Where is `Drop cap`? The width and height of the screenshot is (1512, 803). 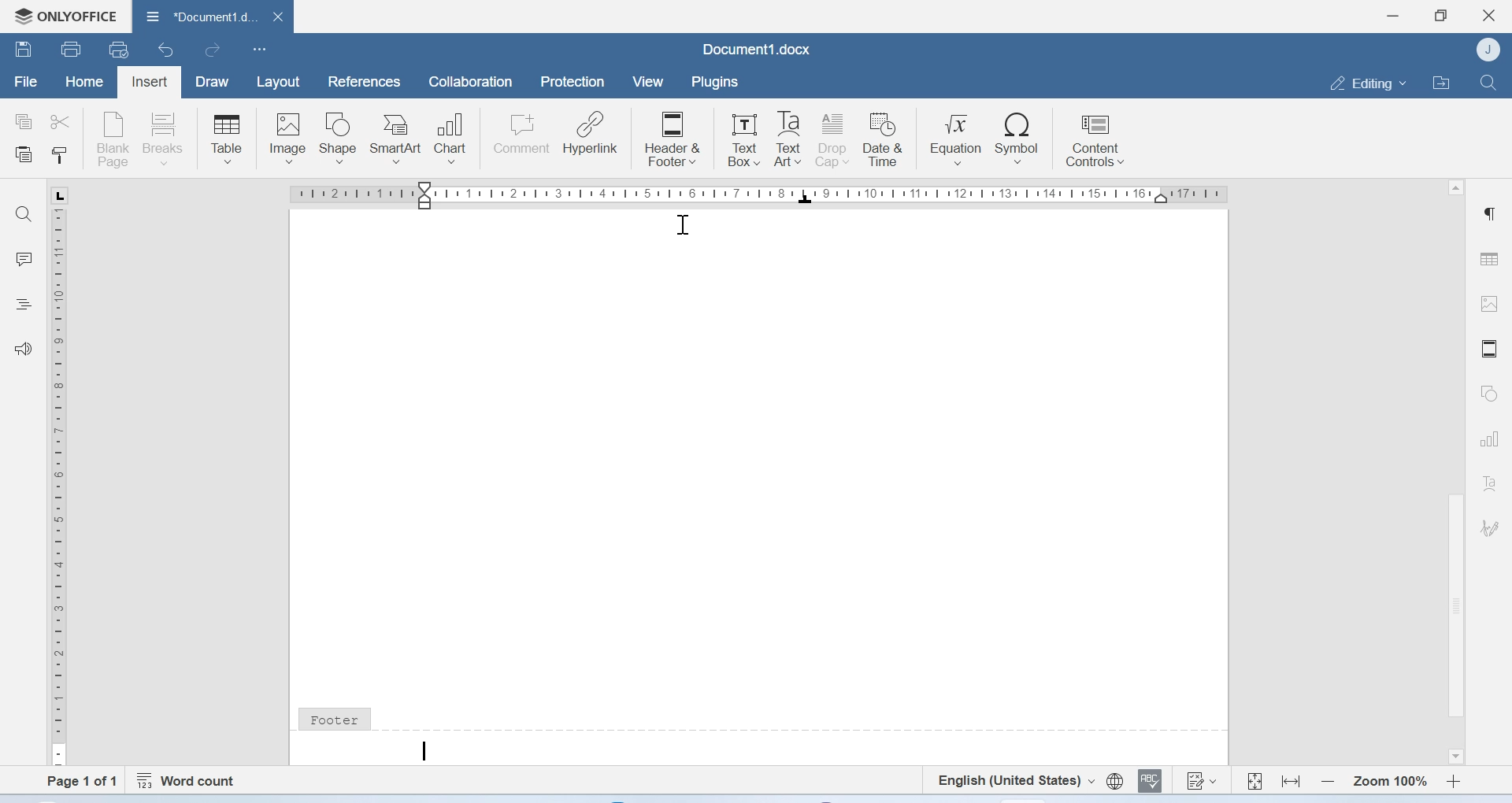
Drop cap is located at coordinates (834, 139).